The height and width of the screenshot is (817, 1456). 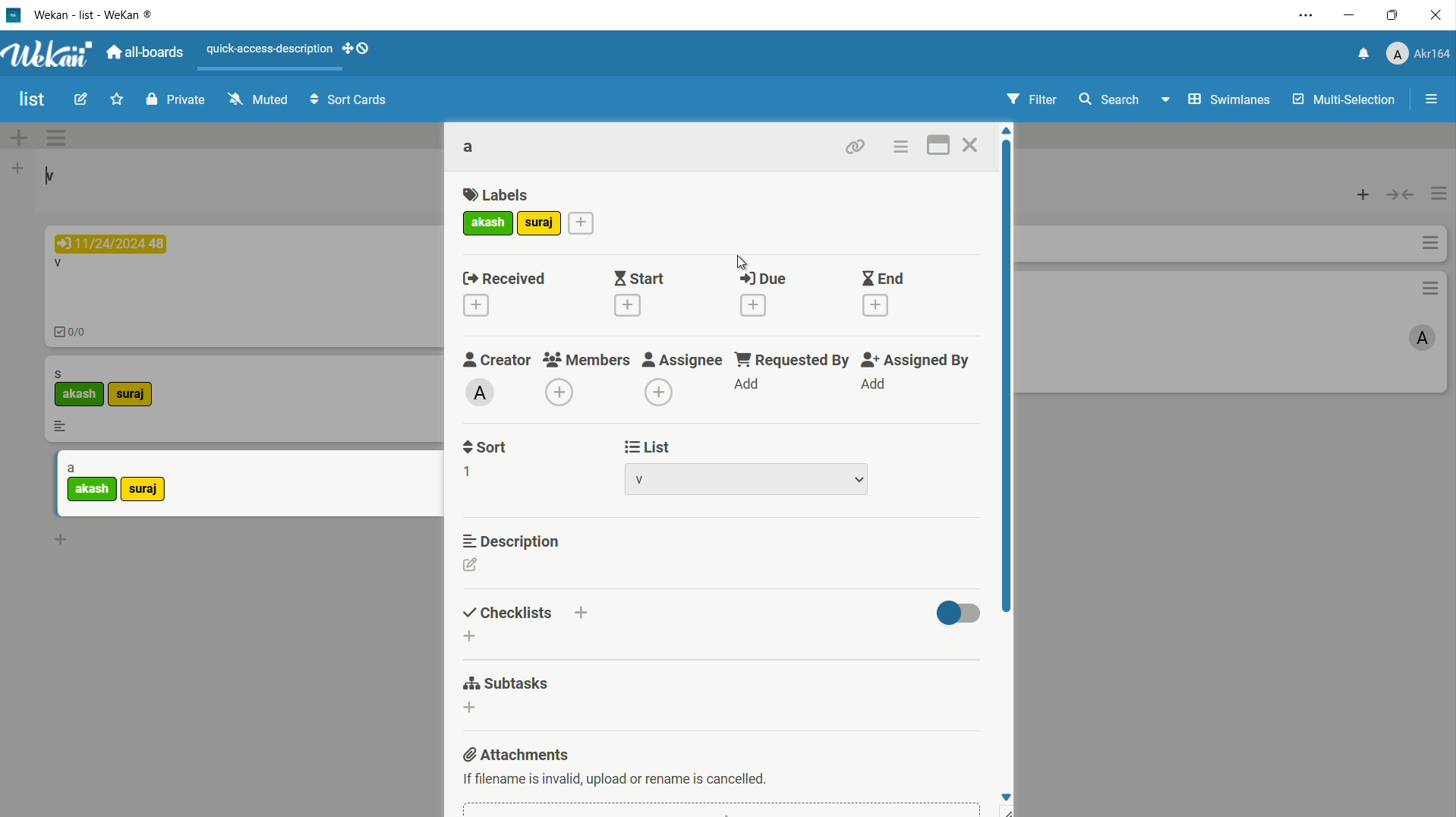 What do you see at coordinates (506, 611) in the screenshot?
I see `checklists` at bounding box center [506, 611].